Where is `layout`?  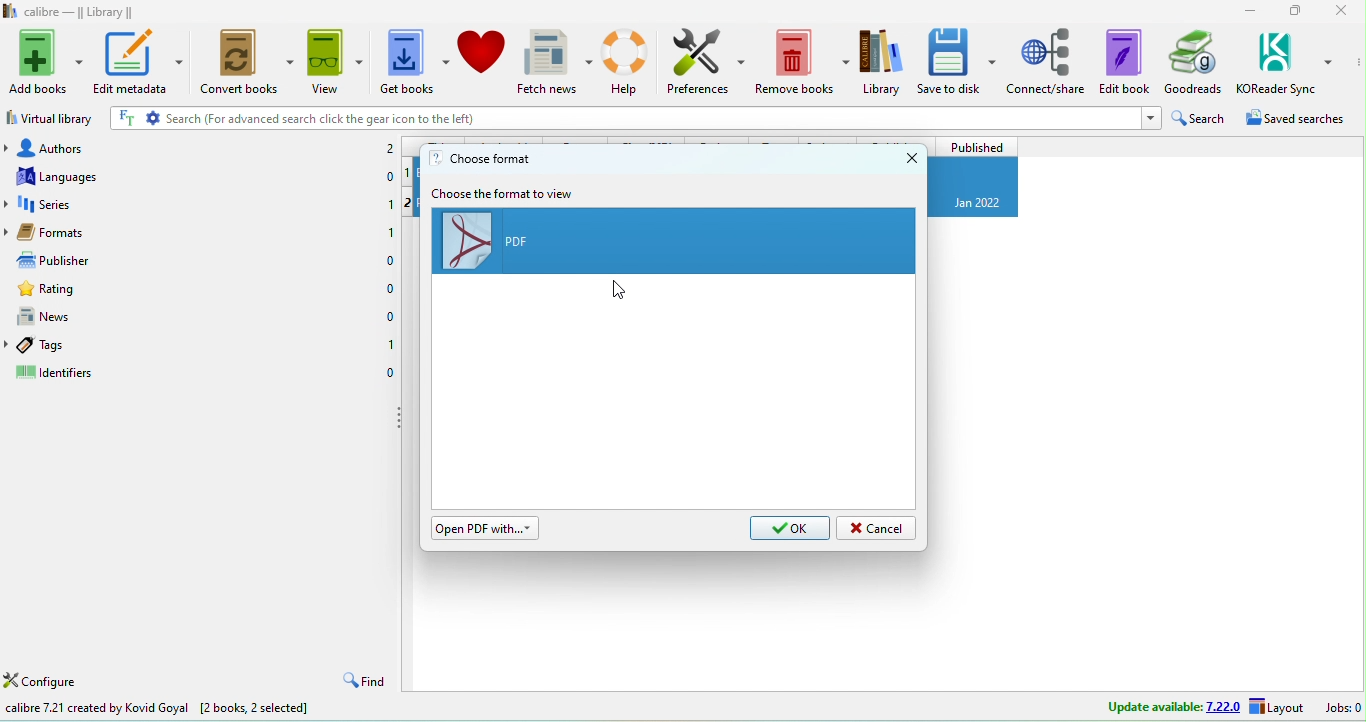 layout is located at coordinates (1276, 706).